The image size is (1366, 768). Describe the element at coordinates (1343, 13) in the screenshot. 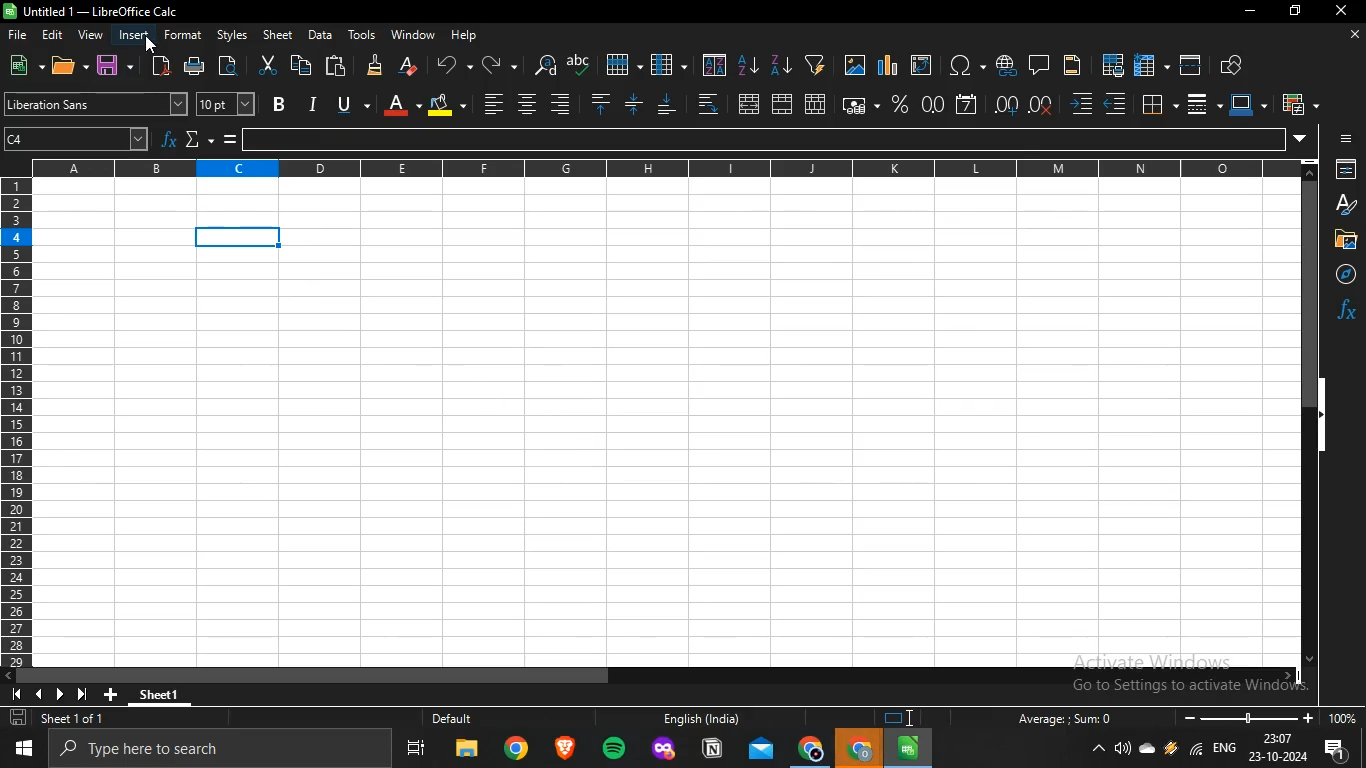

I see `close` at that location.